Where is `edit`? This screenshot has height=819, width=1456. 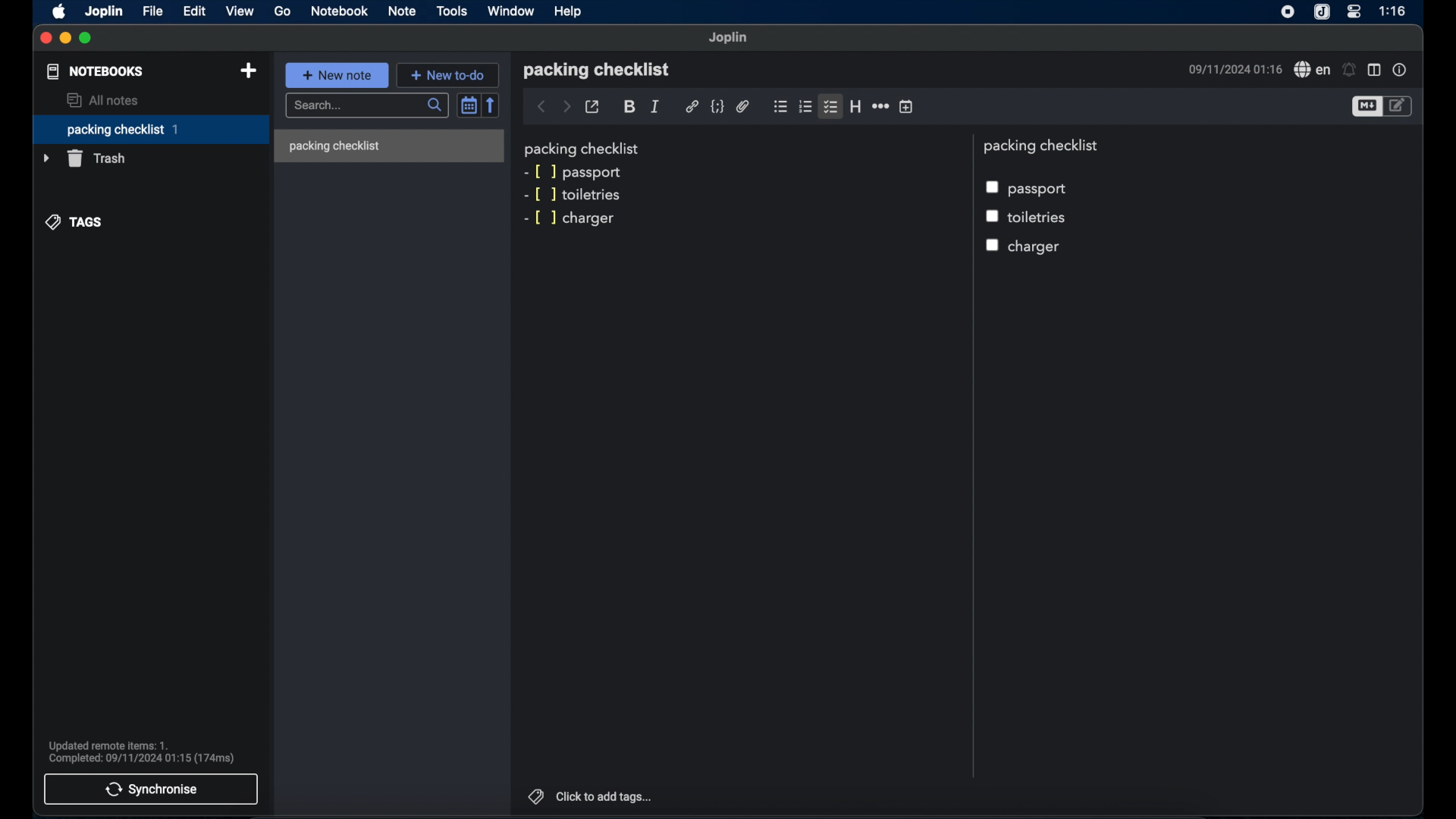 edit is located at coordinates (195, 11).